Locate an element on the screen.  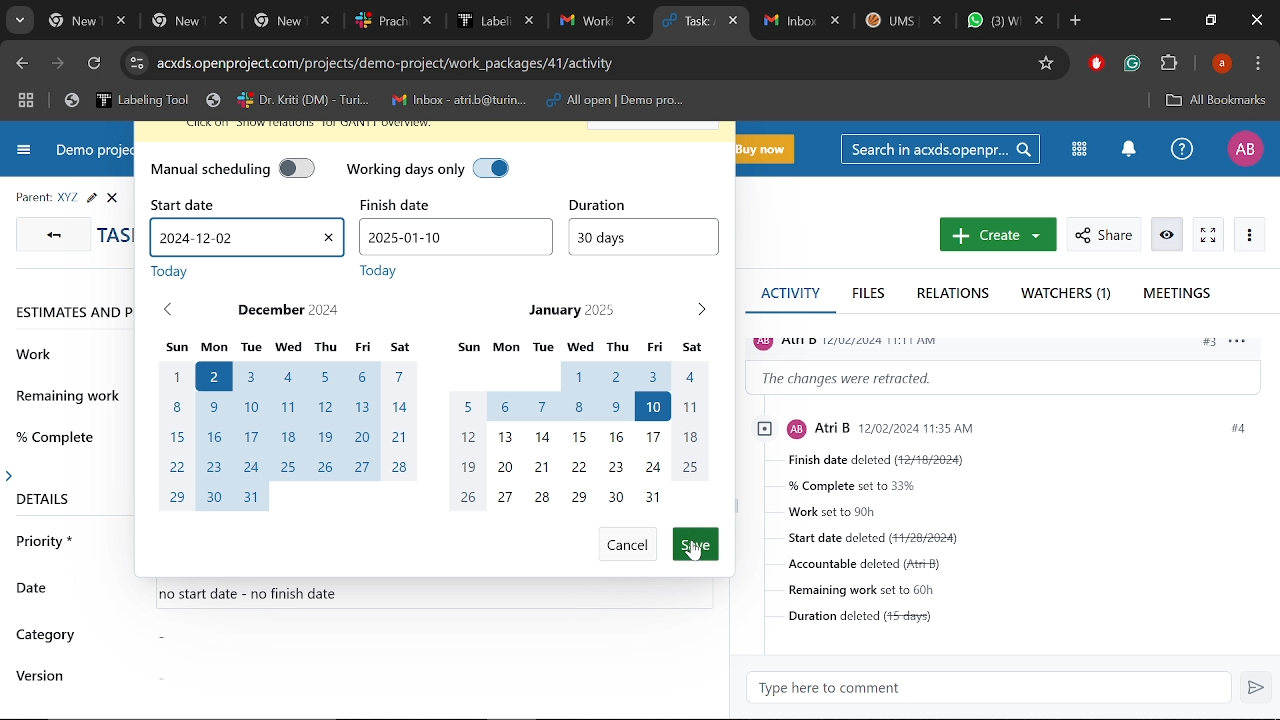
Previous page is located at coordinates (23, 64).